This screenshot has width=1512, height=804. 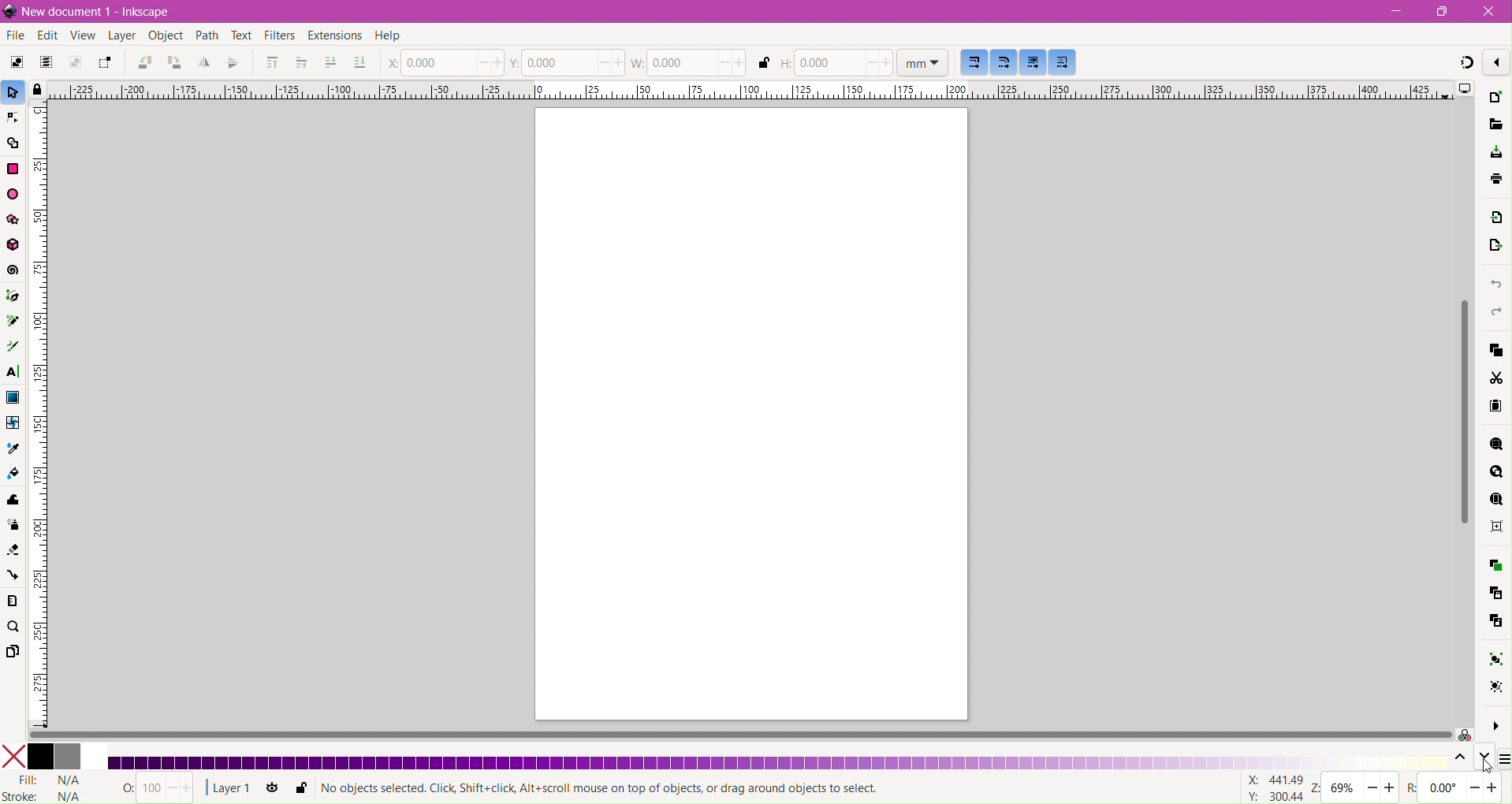 I want to click on Gradient Tool, so click(x=13, y=396).